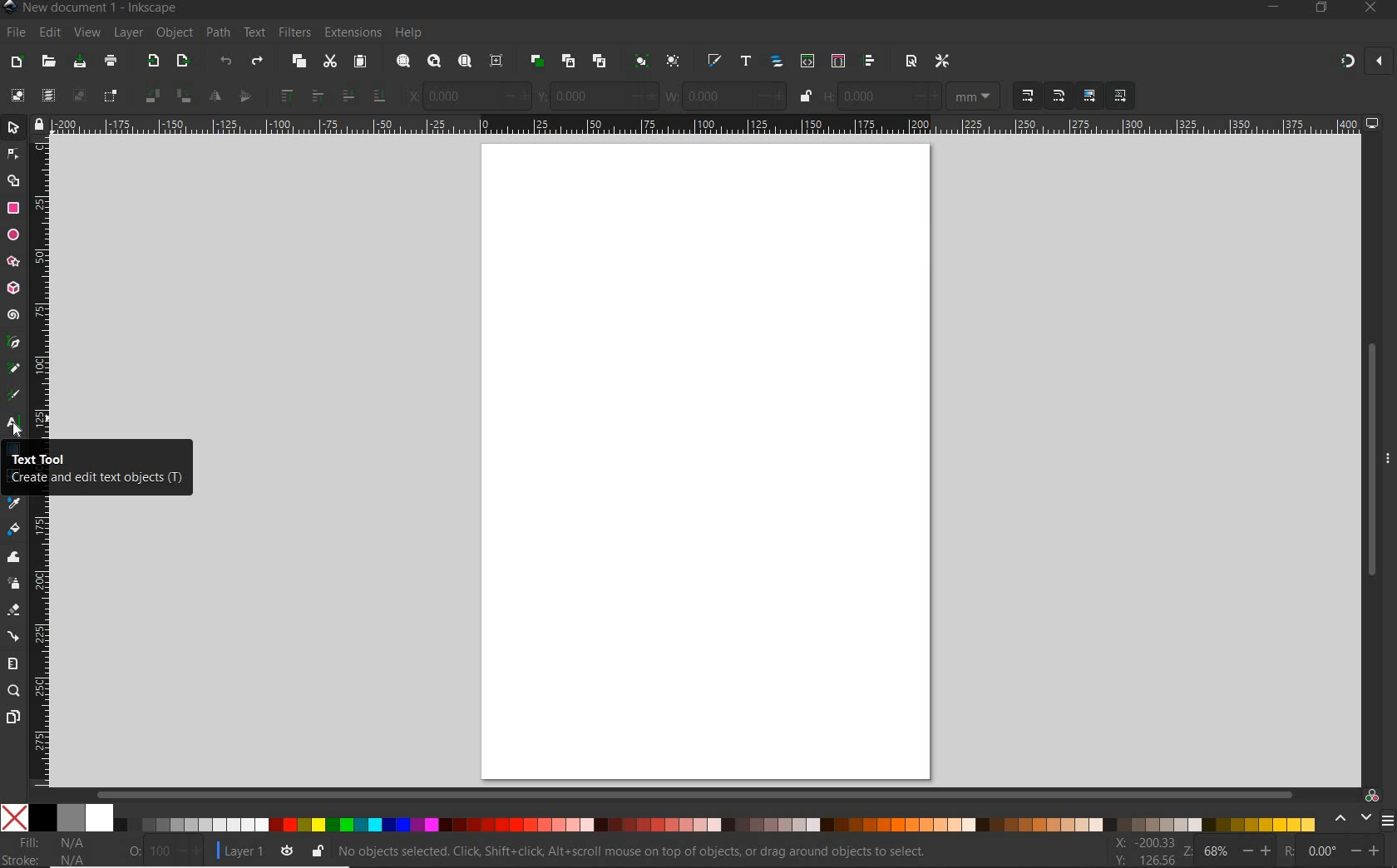 The width and height of the screenshot is (1397, 868). What do you see at coordinates (943, 62) in the screenshot?
I see `open preferences` at bounding box center [943, 62].